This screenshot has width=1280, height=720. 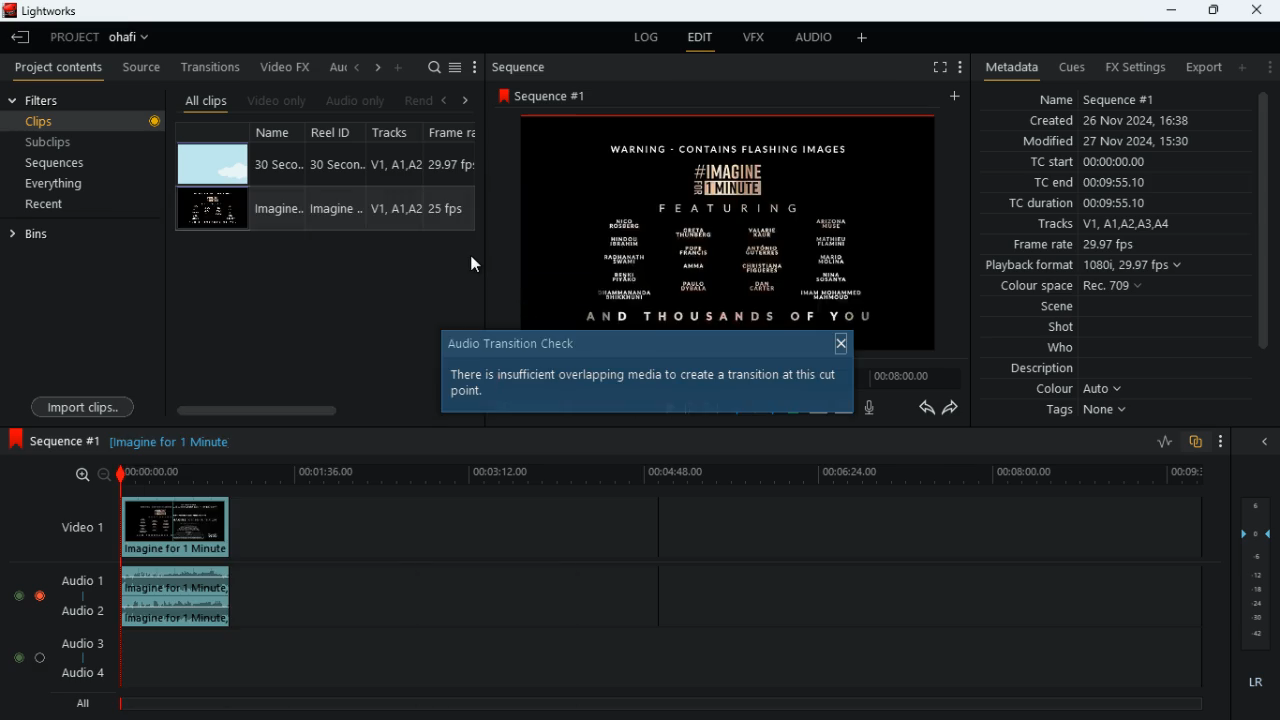 What do you see at coordinates (1058, 308) in the screenshot?
I see `scene` at bounding box center [1058, 308].